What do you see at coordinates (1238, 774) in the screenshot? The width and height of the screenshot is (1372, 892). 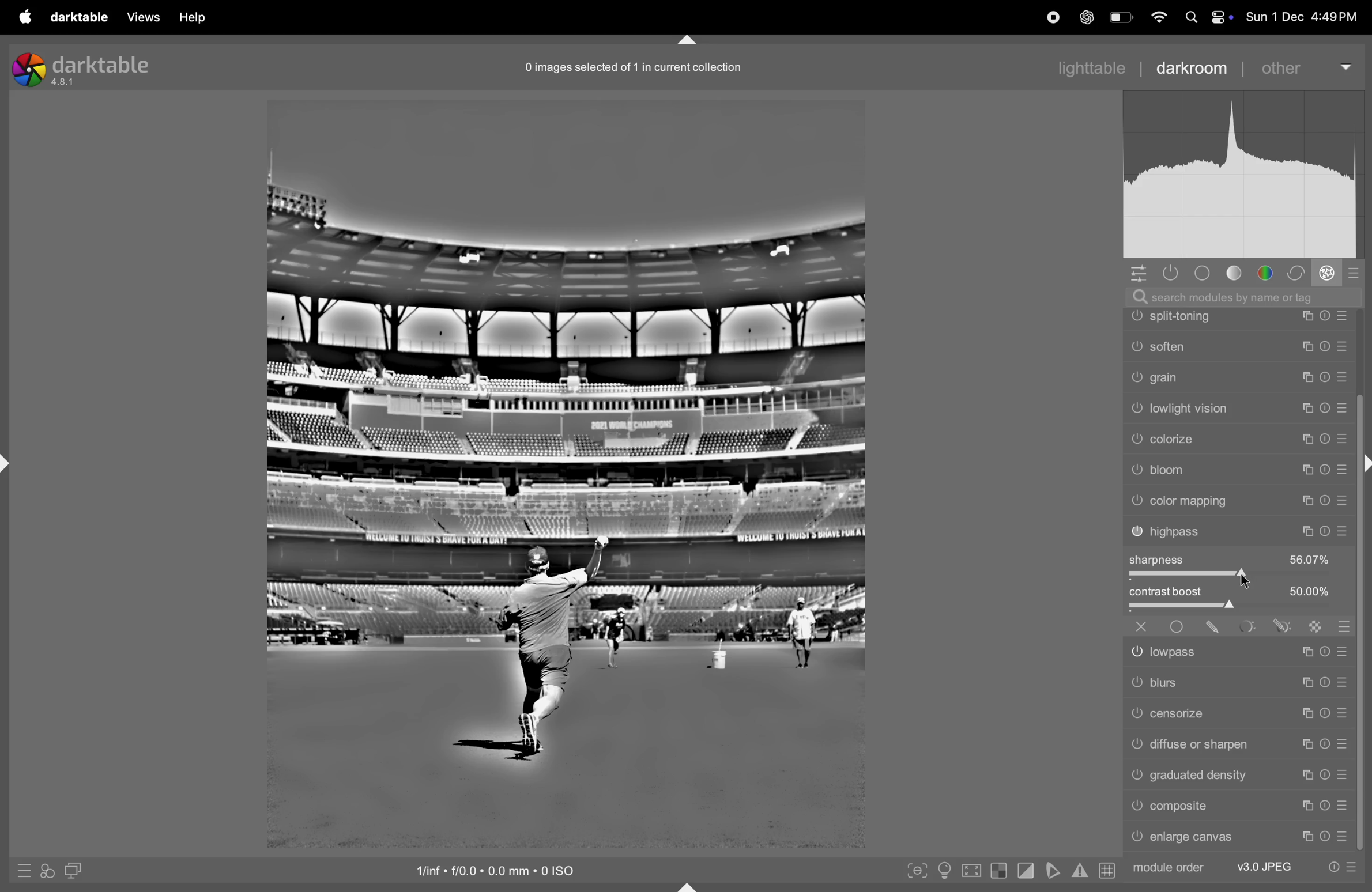 I see `gratitude density` at bounding box center [1238, 774].